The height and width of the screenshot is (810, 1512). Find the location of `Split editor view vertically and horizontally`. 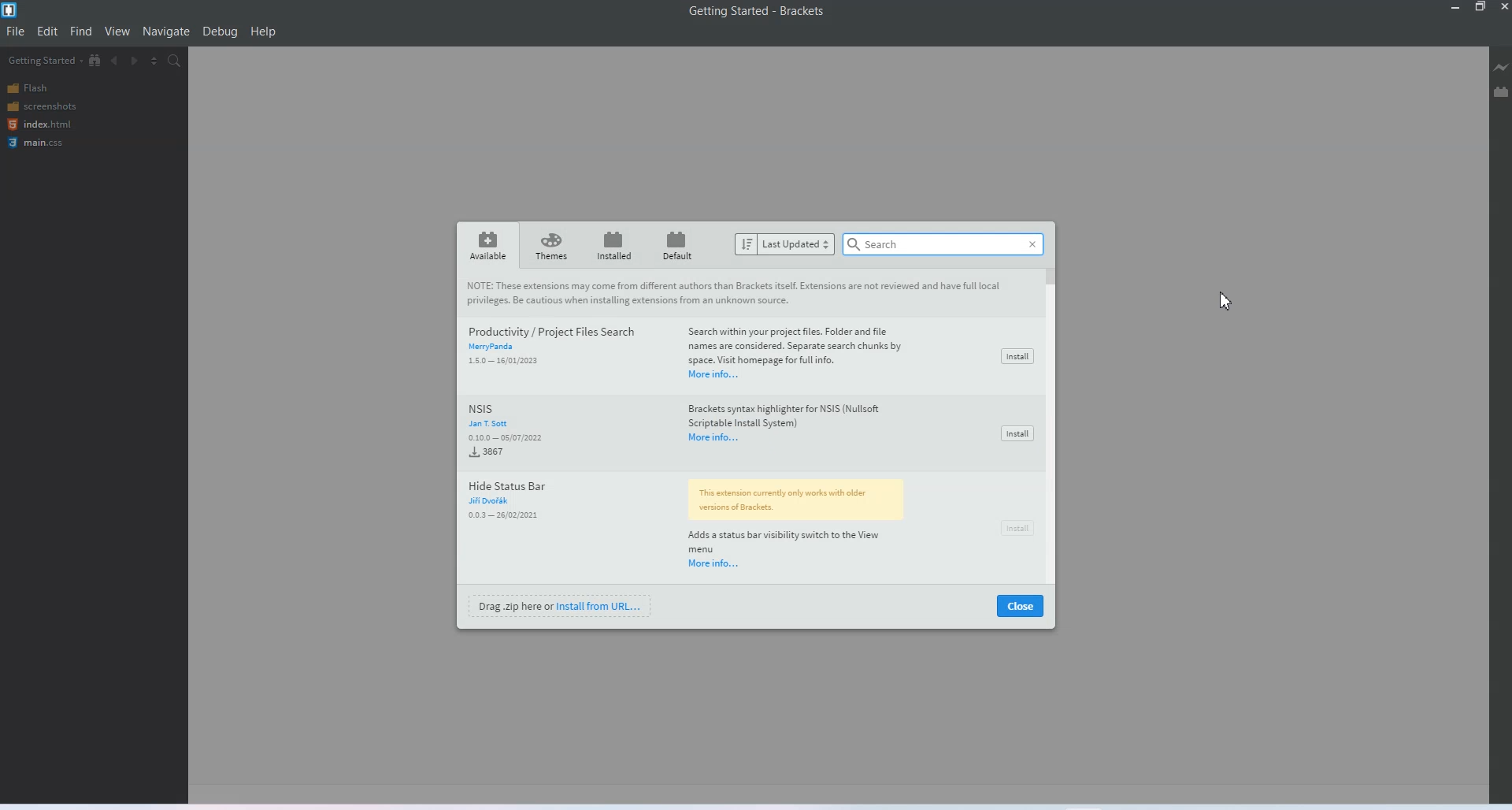

Split editor view vertically and horizontally is located at coordinates (154, 60).